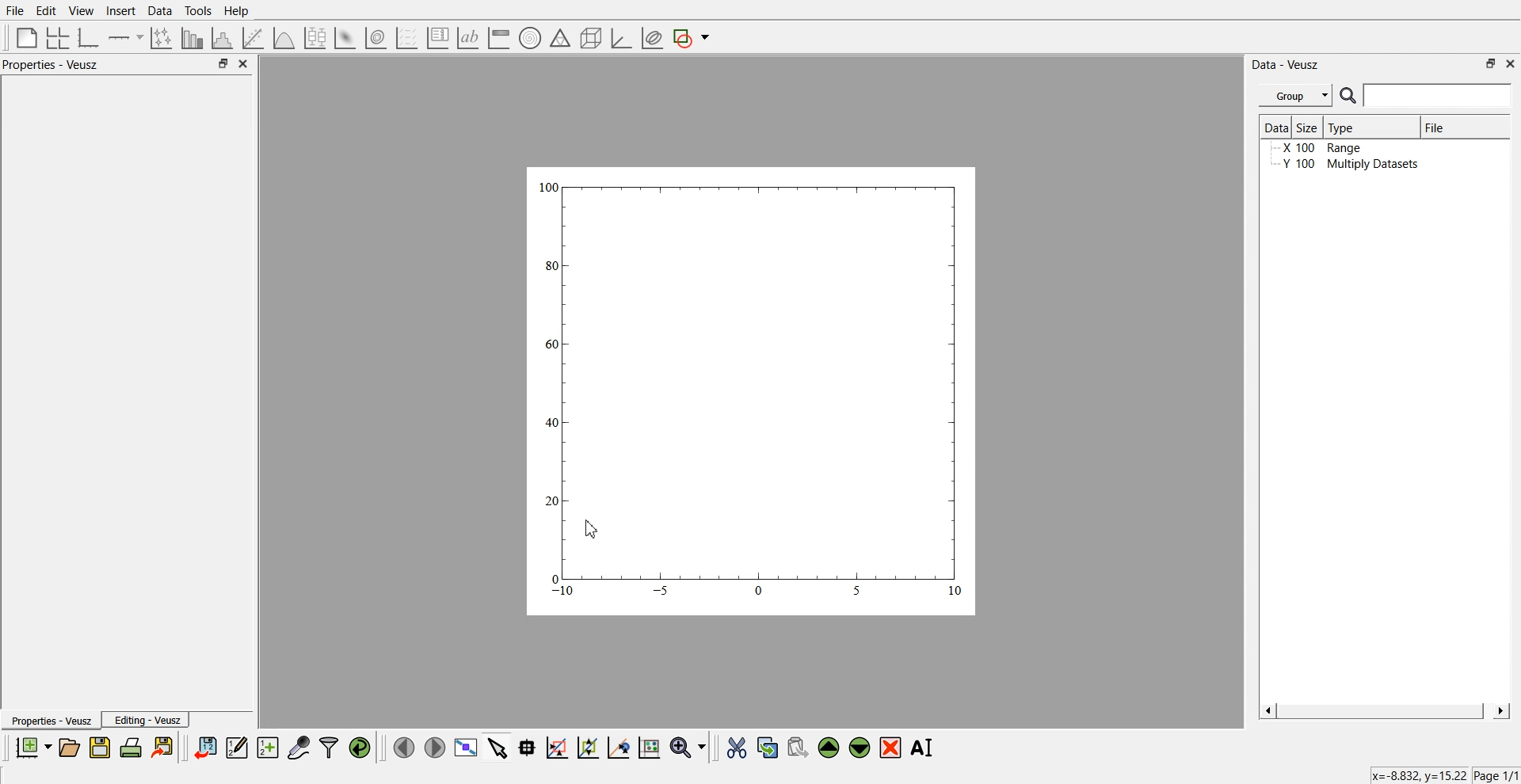 The width and height of the screenshot is (1521, 784). Describe the element at coordinates (237, 749) in the screenshot. I see `edit and enter data points` at that location.